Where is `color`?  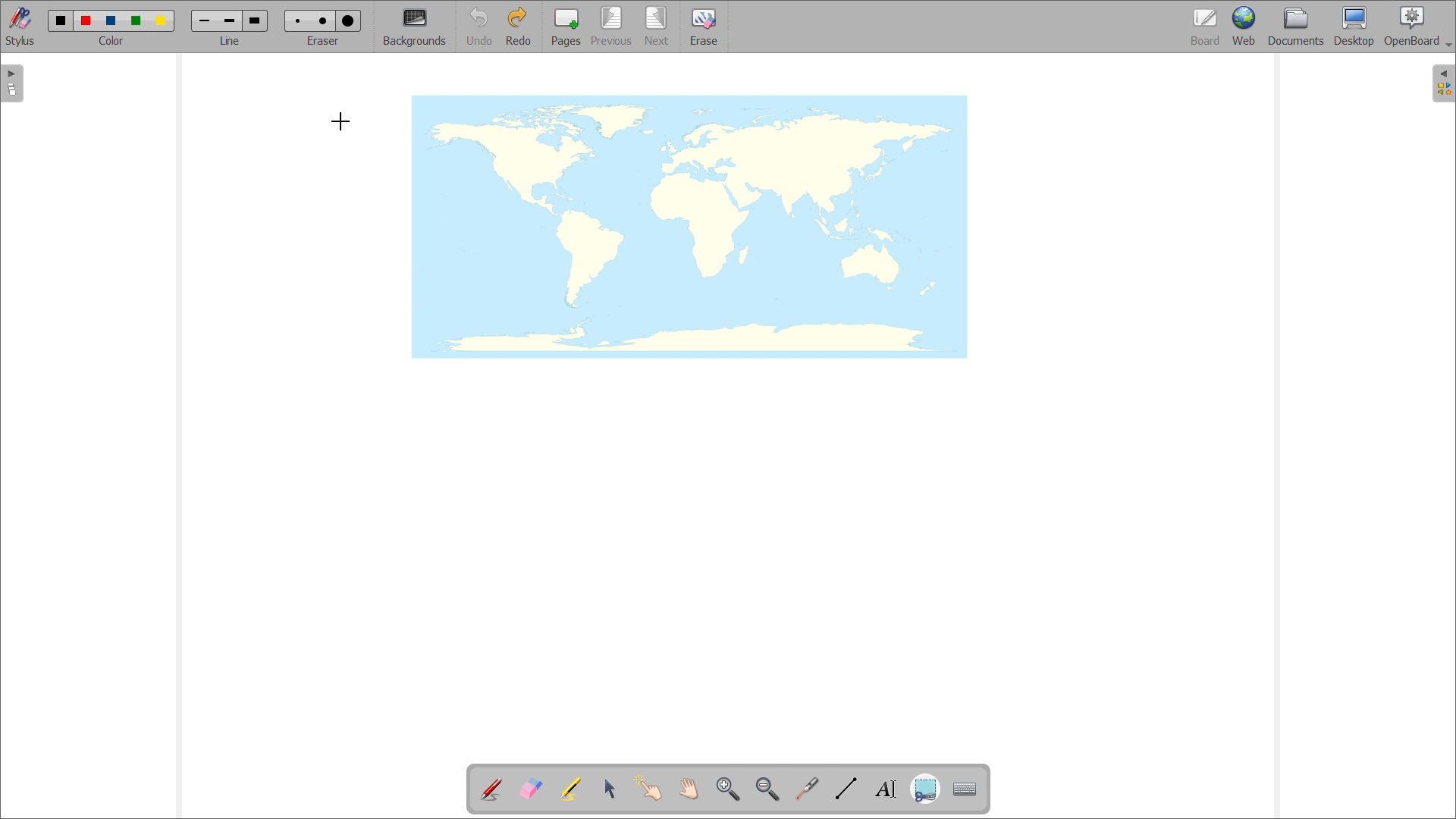
color is located at coordinates (111, 41).